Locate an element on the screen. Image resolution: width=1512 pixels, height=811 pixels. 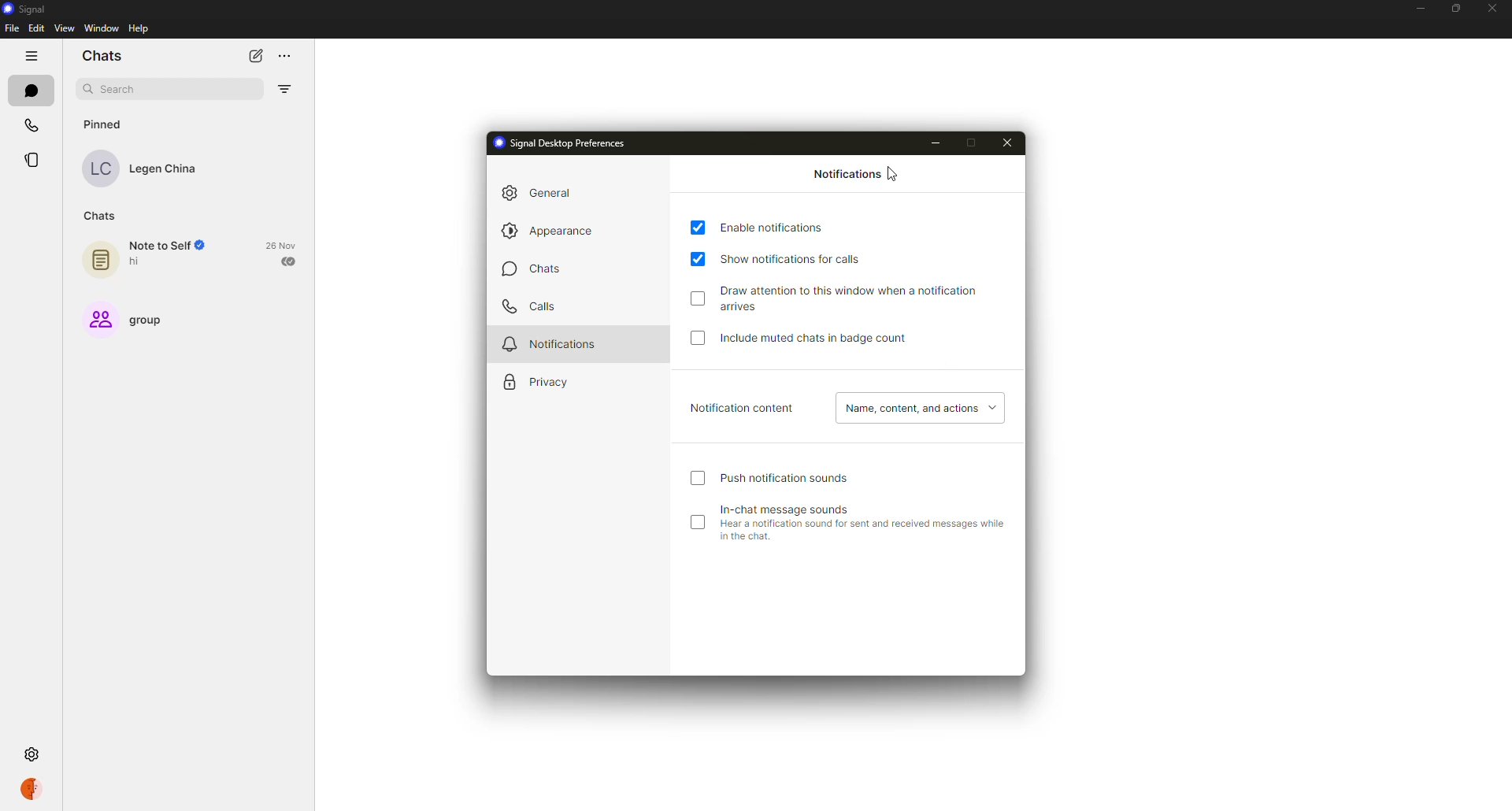
window is located at coordinates (102, 29).